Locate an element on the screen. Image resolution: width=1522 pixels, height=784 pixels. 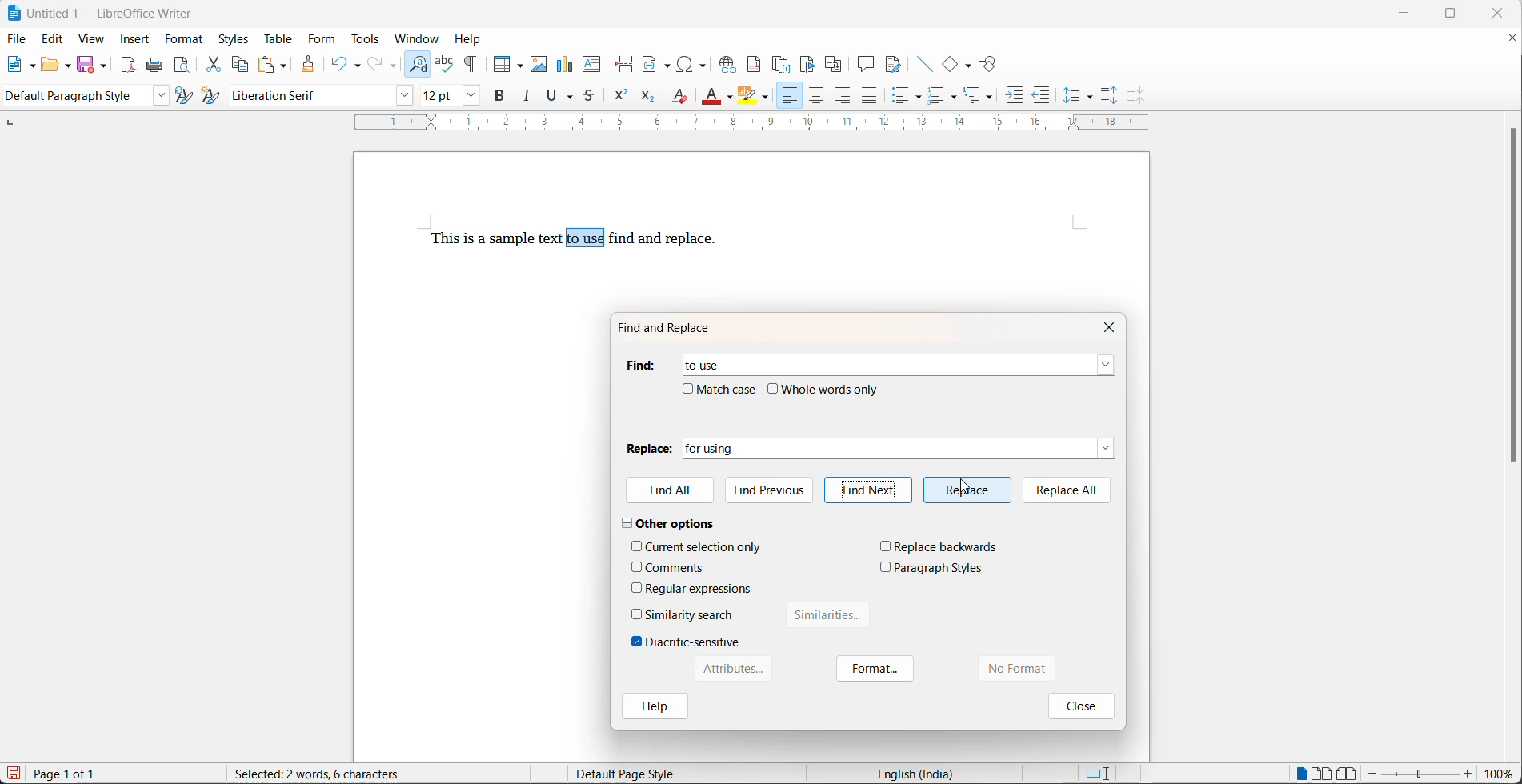
print preview is located at coordinates (183, 66).